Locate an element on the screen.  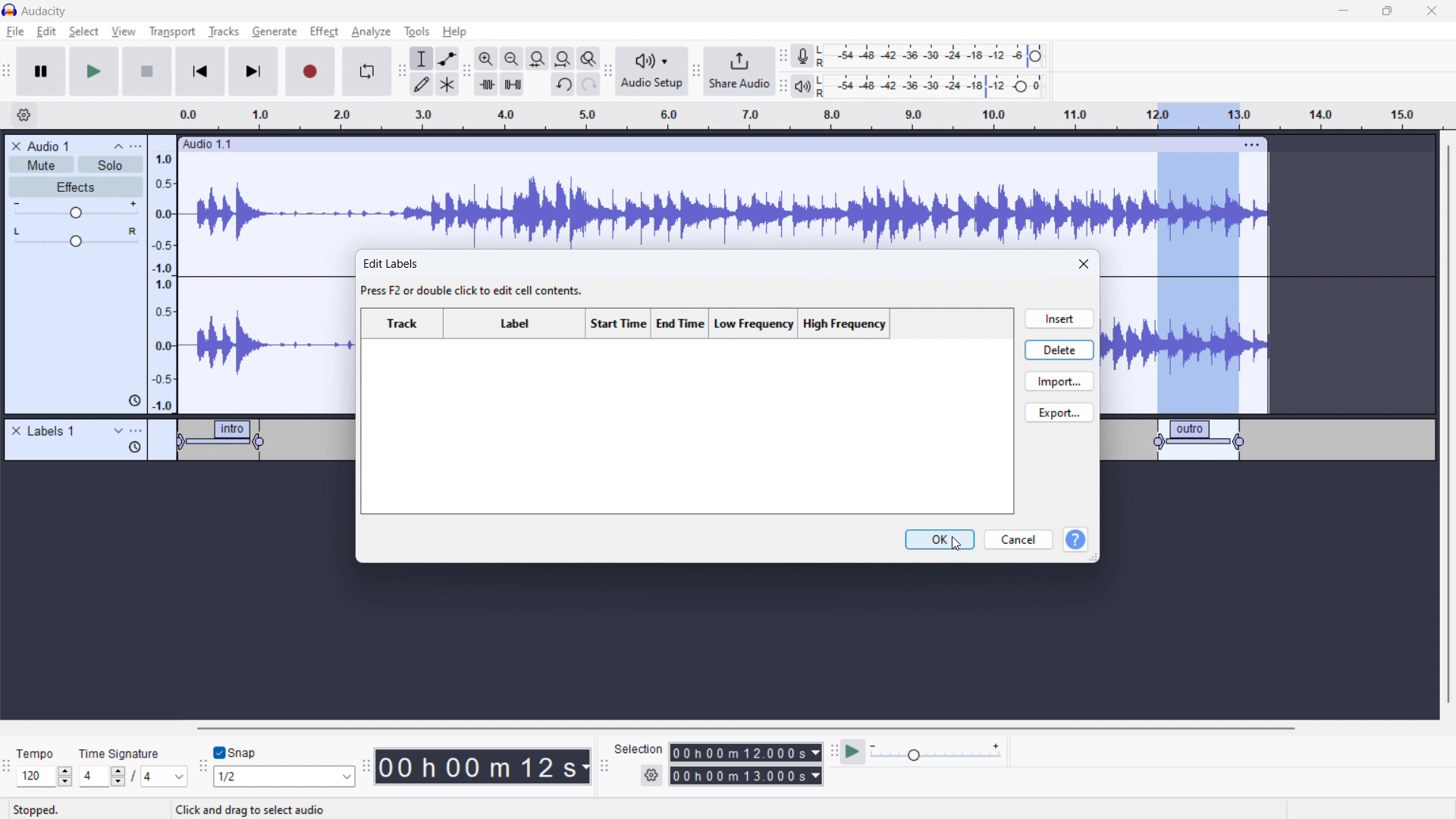
draw tool is located at coordinates (422, 83).